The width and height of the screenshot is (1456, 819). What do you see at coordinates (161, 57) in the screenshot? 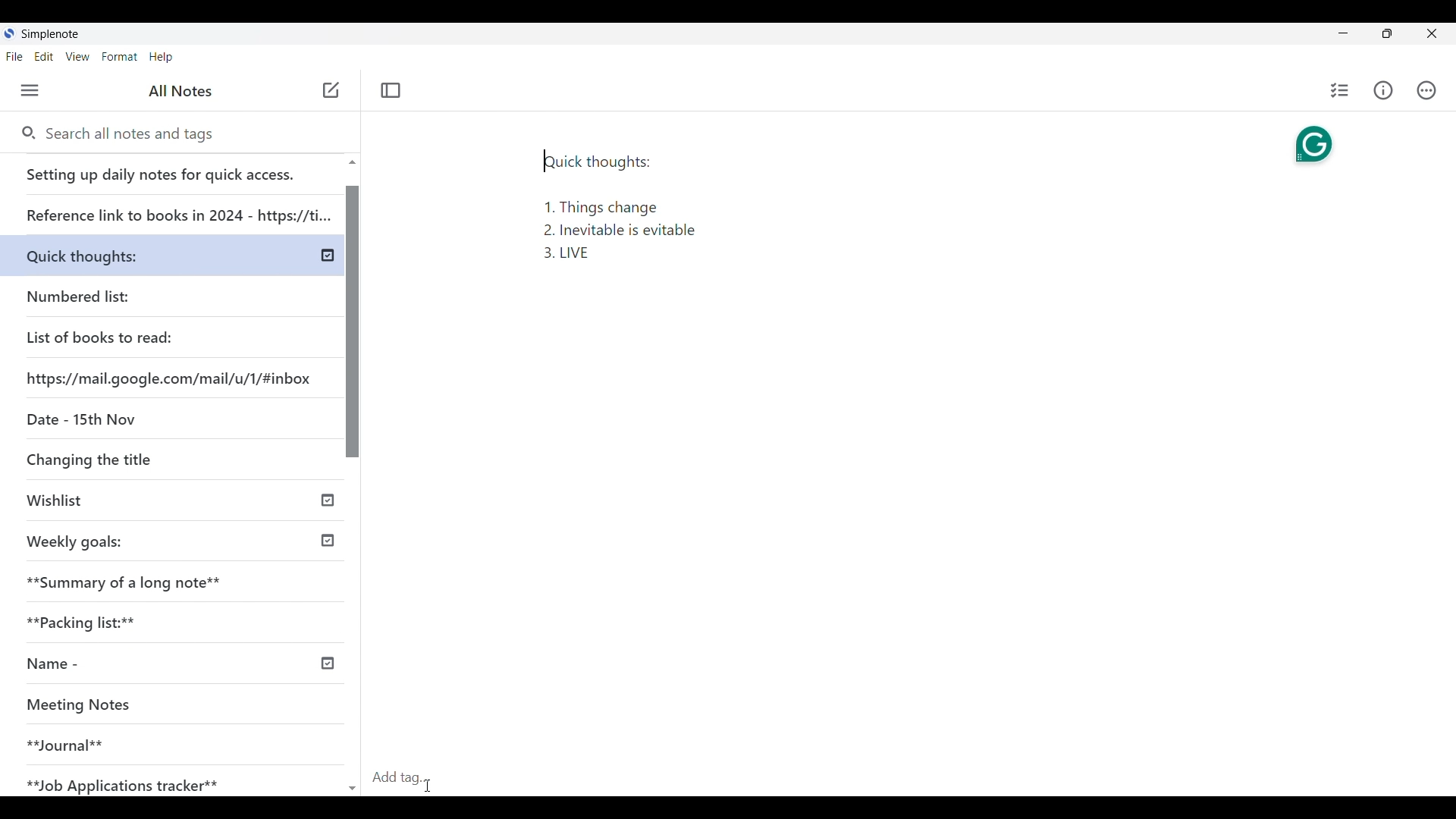
I see `Help menu` at bounding box center [161, 57].